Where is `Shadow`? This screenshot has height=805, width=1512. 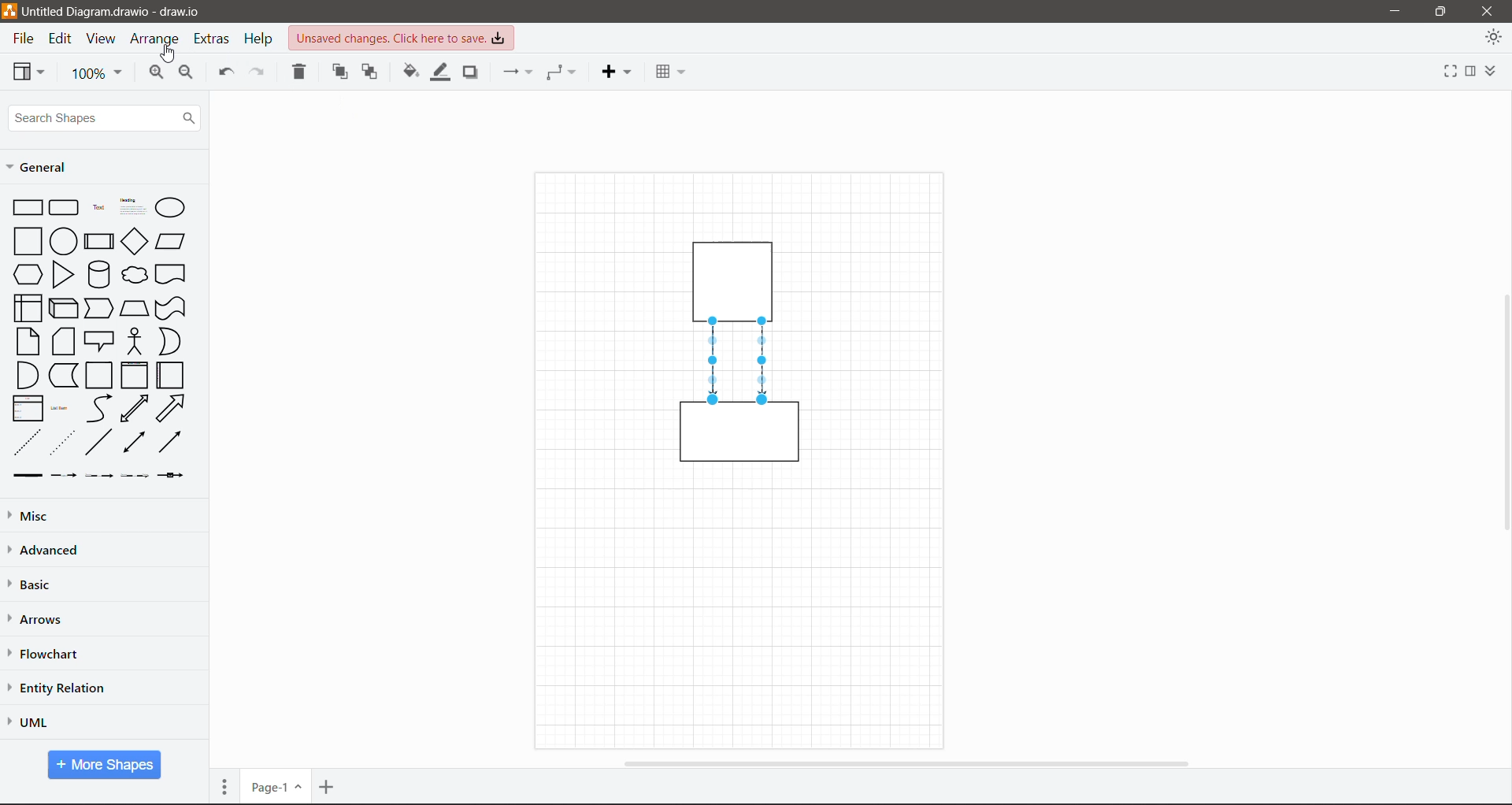 Shadow is located at coordinates (470, 72).